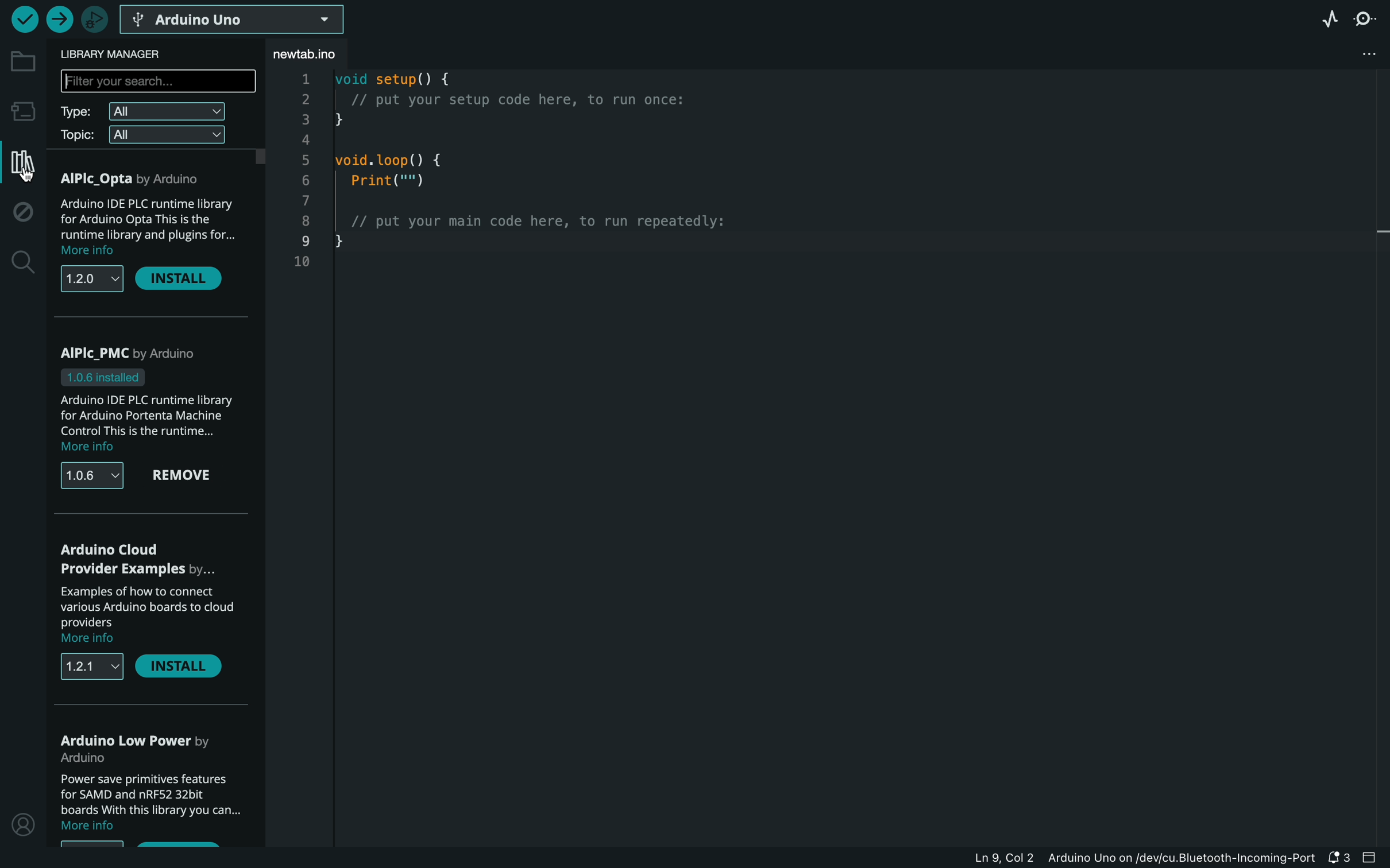  I want to click on verify, so click(23, 18).